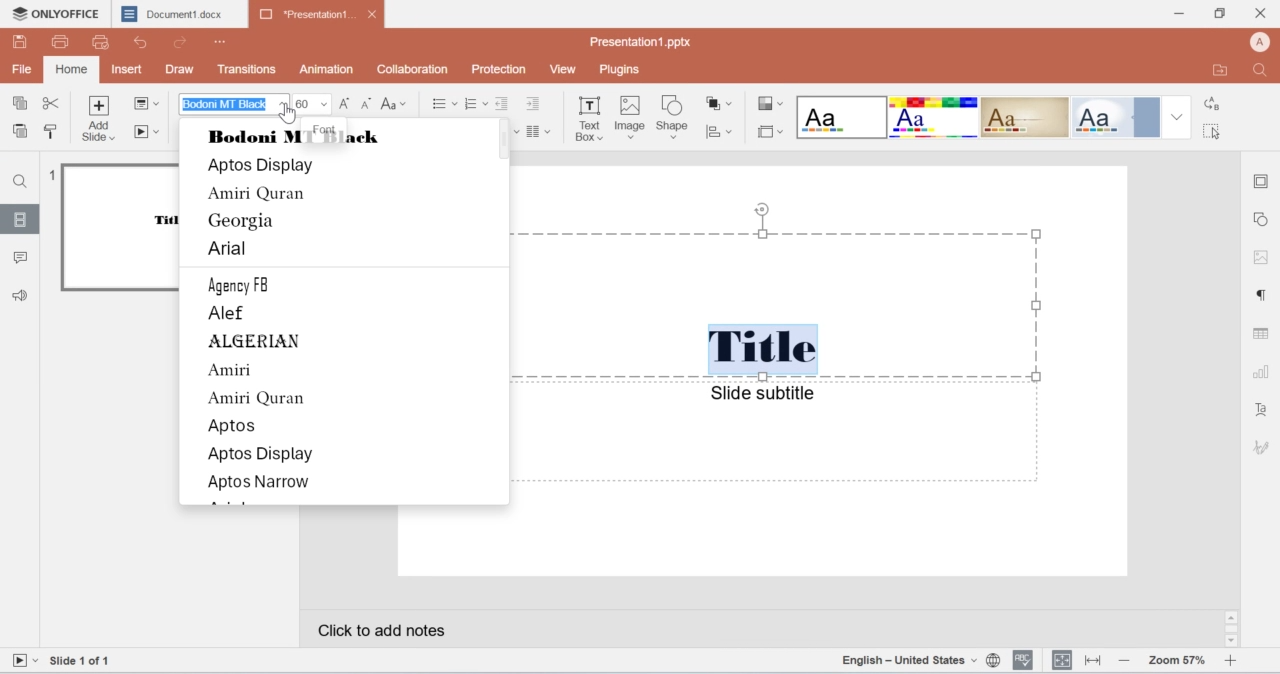 The height and width of the screenshot is (674, 1280). What do you see at coordinates (24, 661) in the screenshot?
I see `video button` at bounding box center [24, 661].